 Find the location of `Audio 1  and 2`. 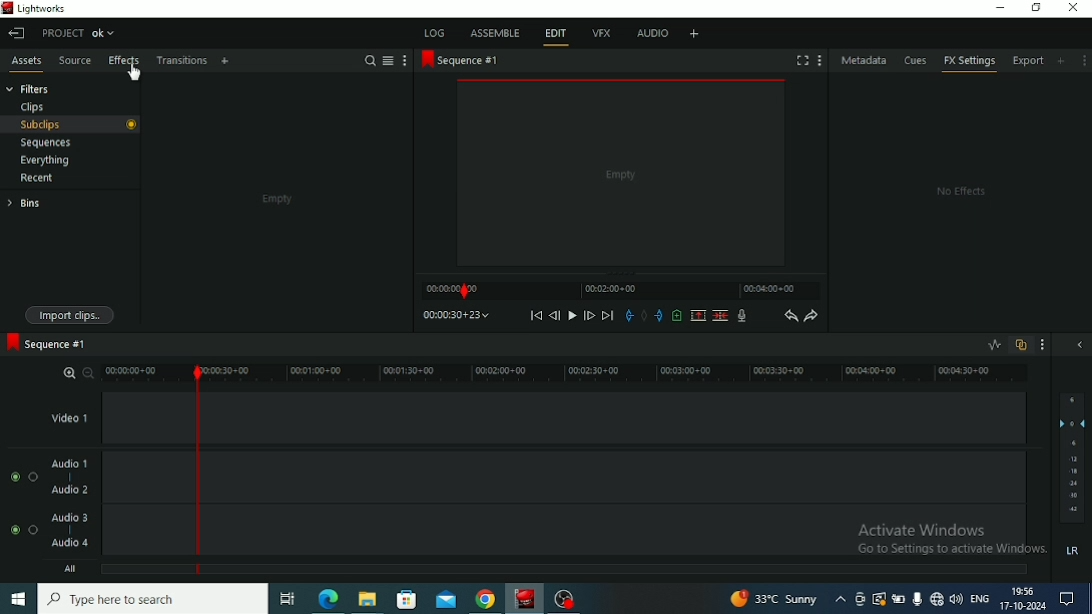

Audio 1  and 2 is located at coordinates (626, 477).